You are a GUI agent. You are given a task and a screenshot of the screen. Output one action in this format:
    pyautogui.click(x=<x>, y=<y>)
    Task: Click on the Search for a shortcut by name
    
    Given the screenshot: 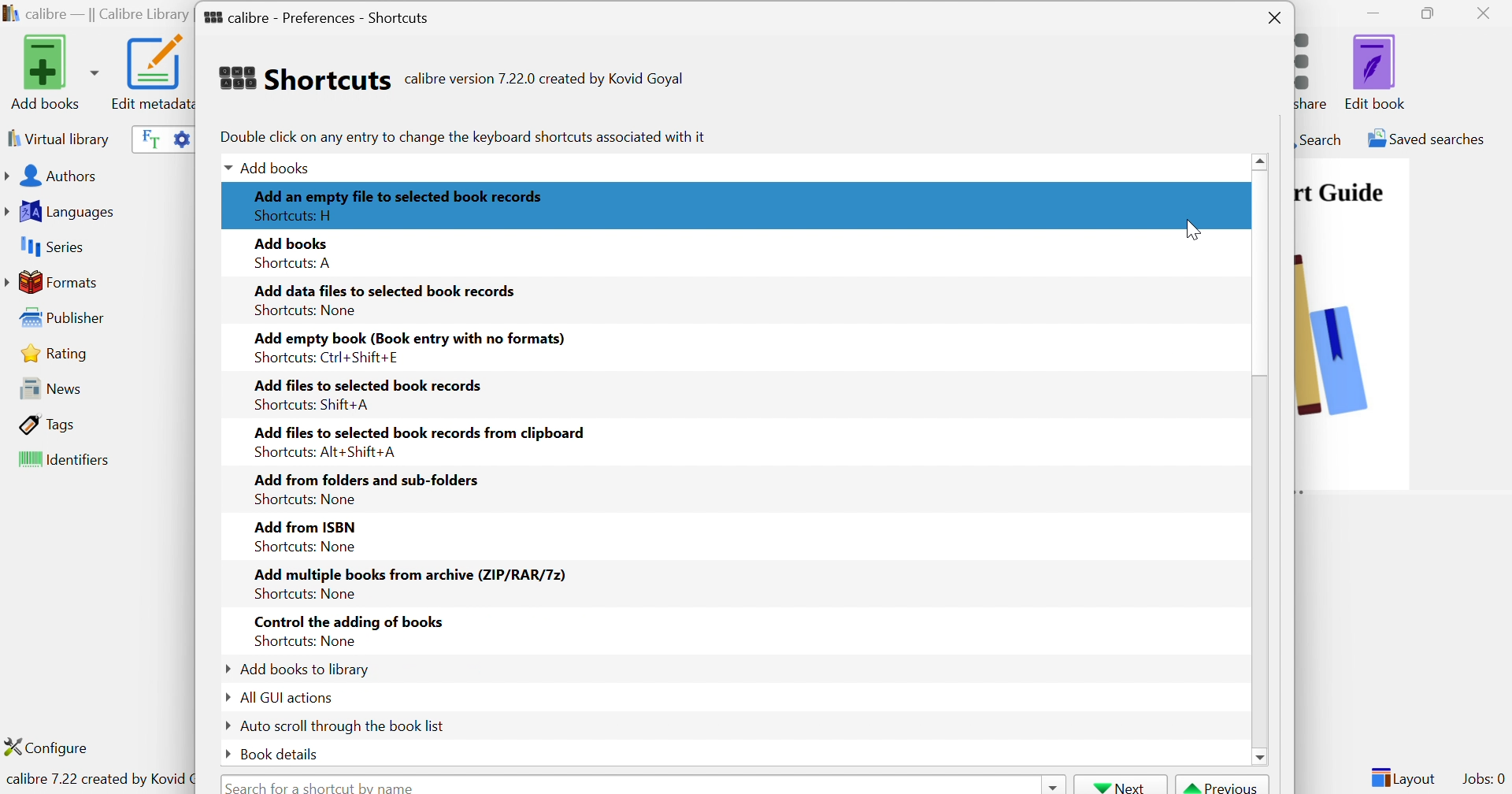 What is the action you would take?
    pyautogui.click(x=324, y=785)
    